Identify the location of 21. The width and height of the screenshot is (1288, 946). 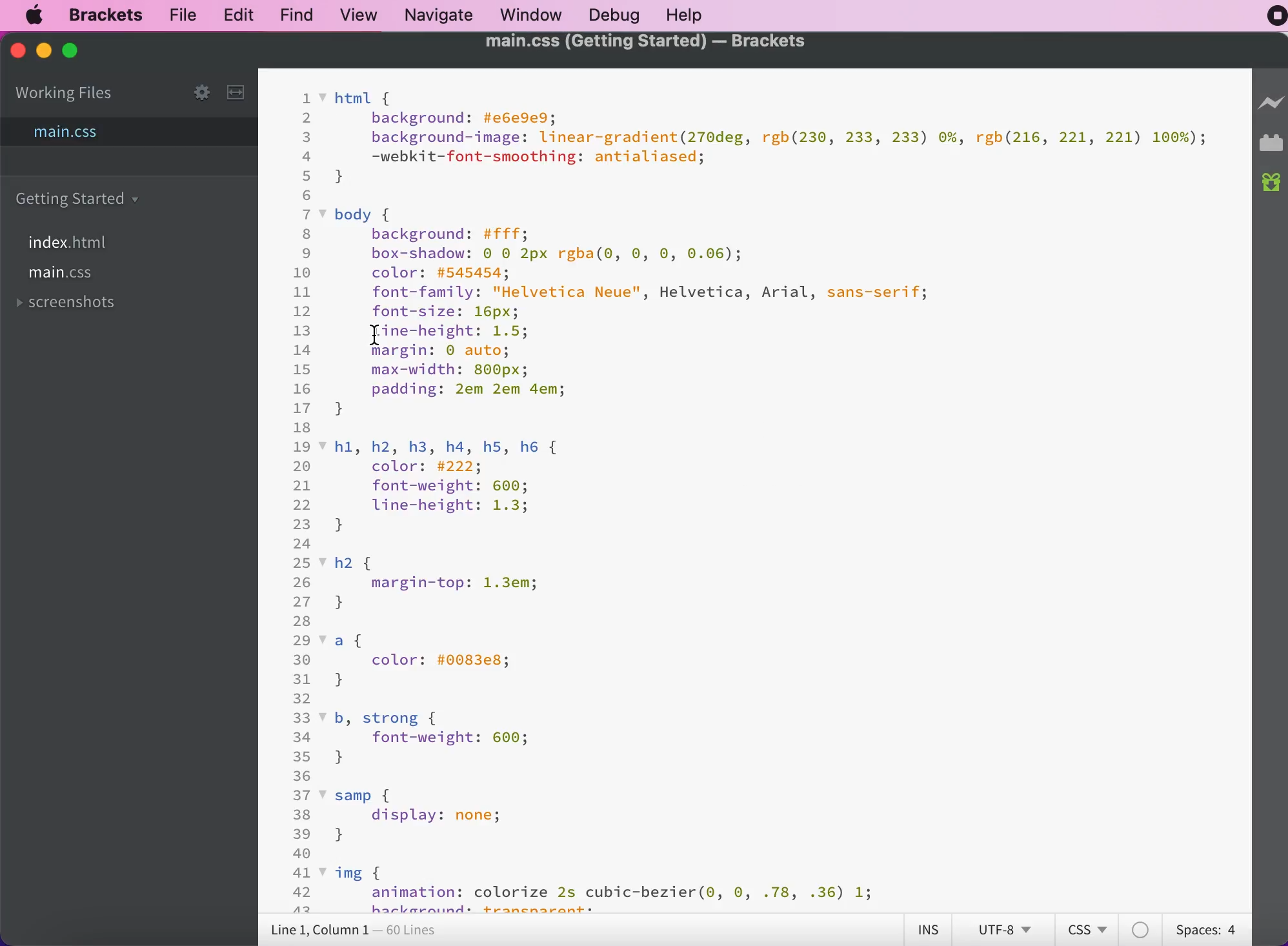
(301, 486).